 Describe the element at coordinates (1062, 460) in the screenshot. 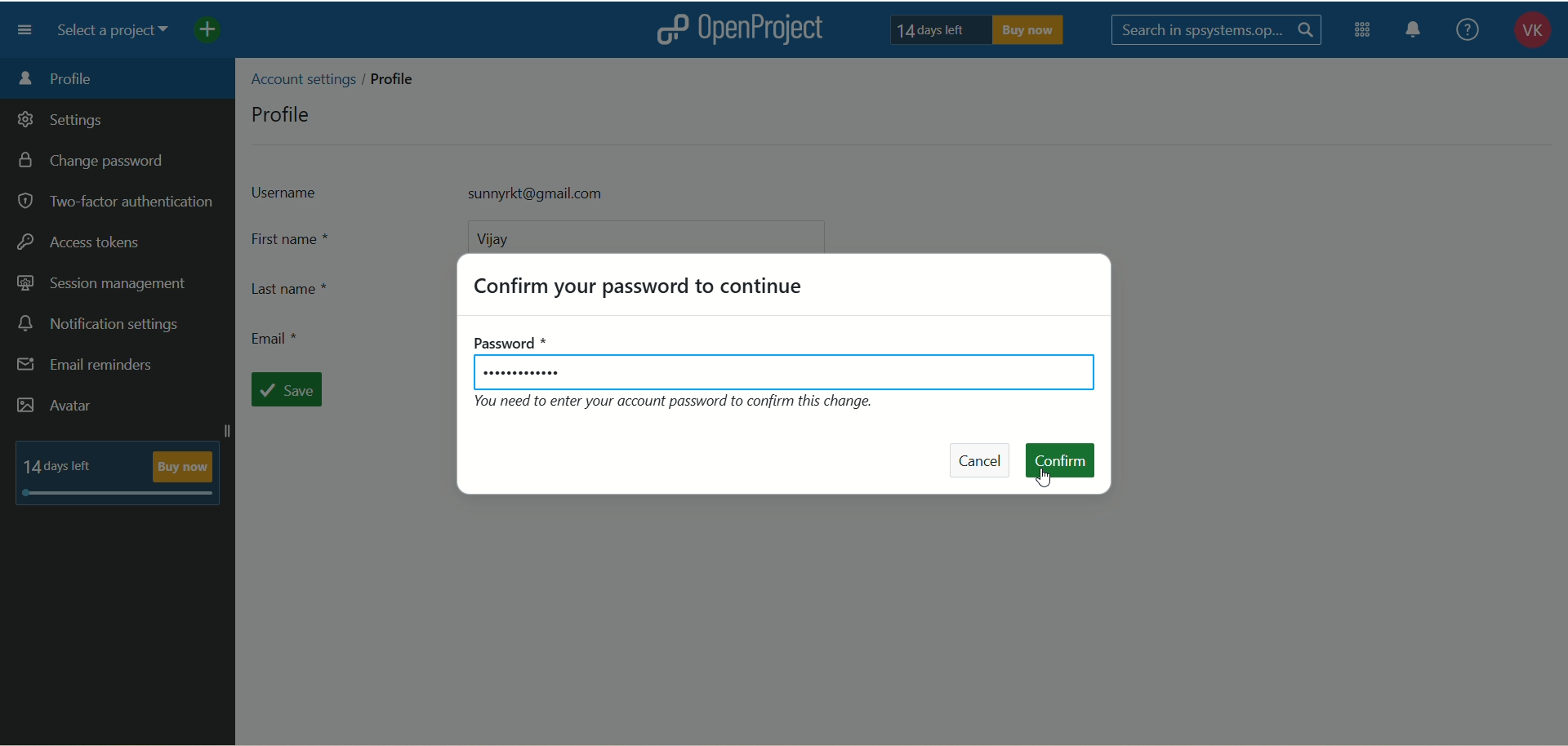

I see `confirm` at that location.